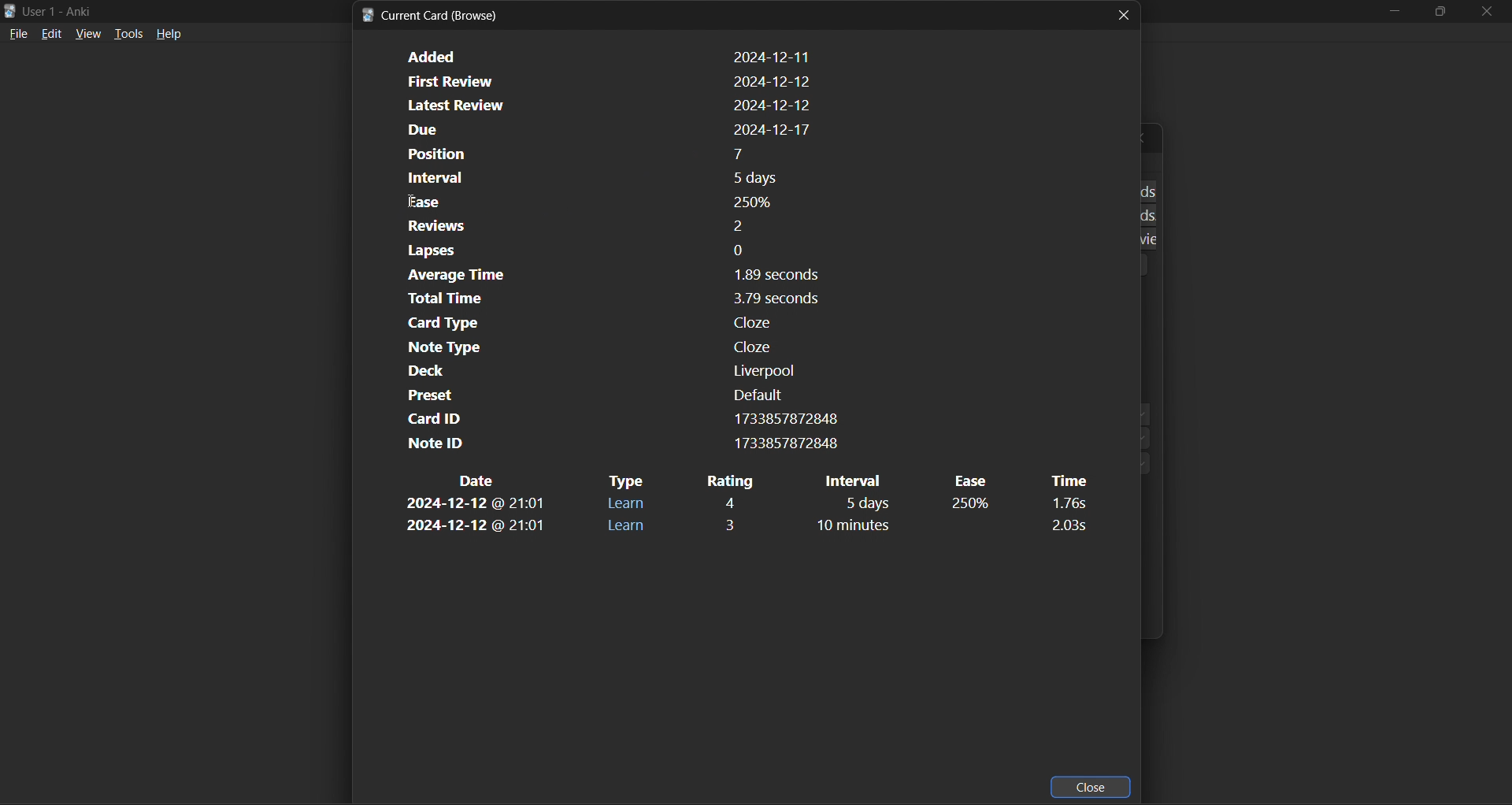 The image size is (1512, 805). Describe the element at coordinates (605, 80) in the screenshot. I see `card first review dat` at that location.